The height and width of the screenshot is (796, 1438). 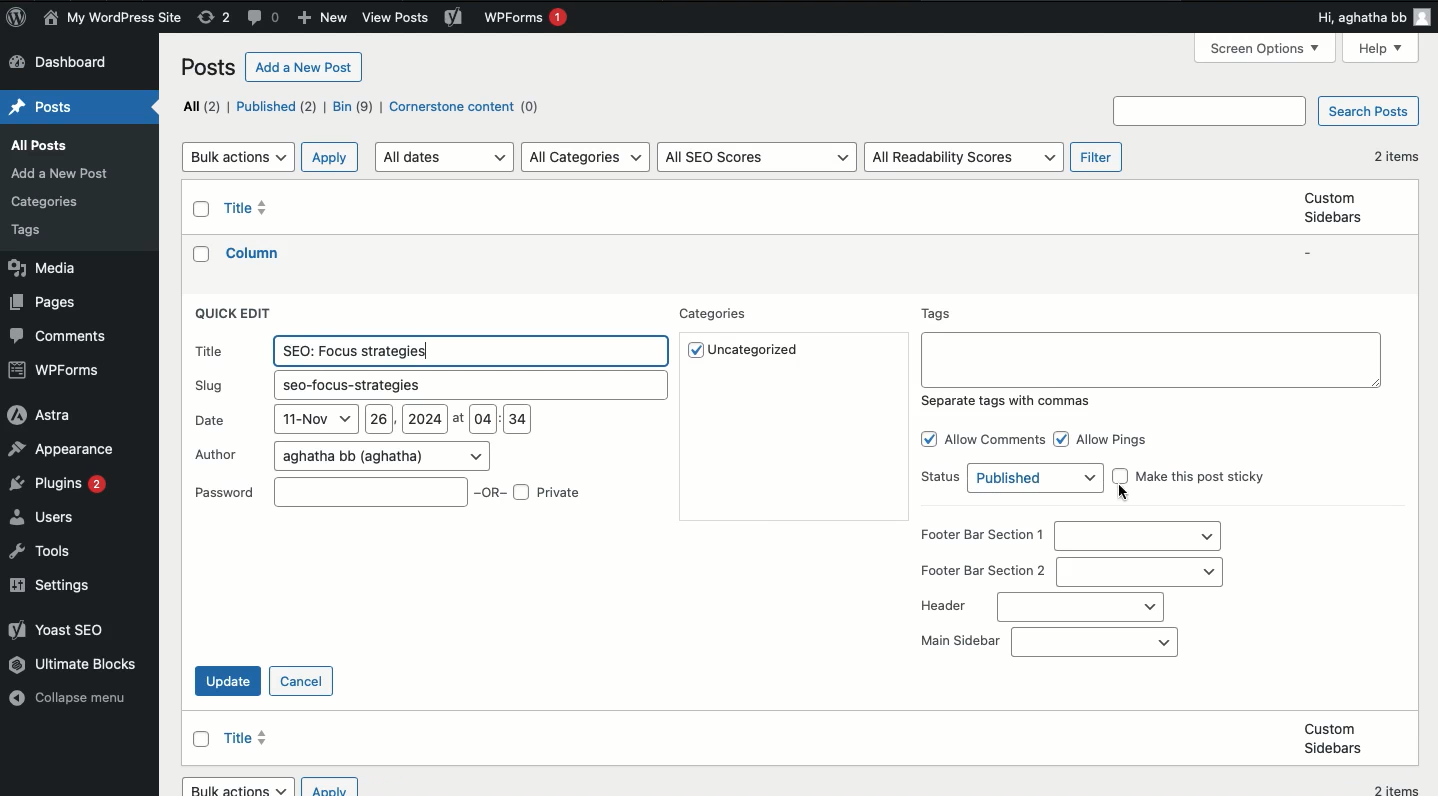 What do you see at coordinates (369, 491) in the screenshot?
I see `Password ` at bounding box center [369, 491].